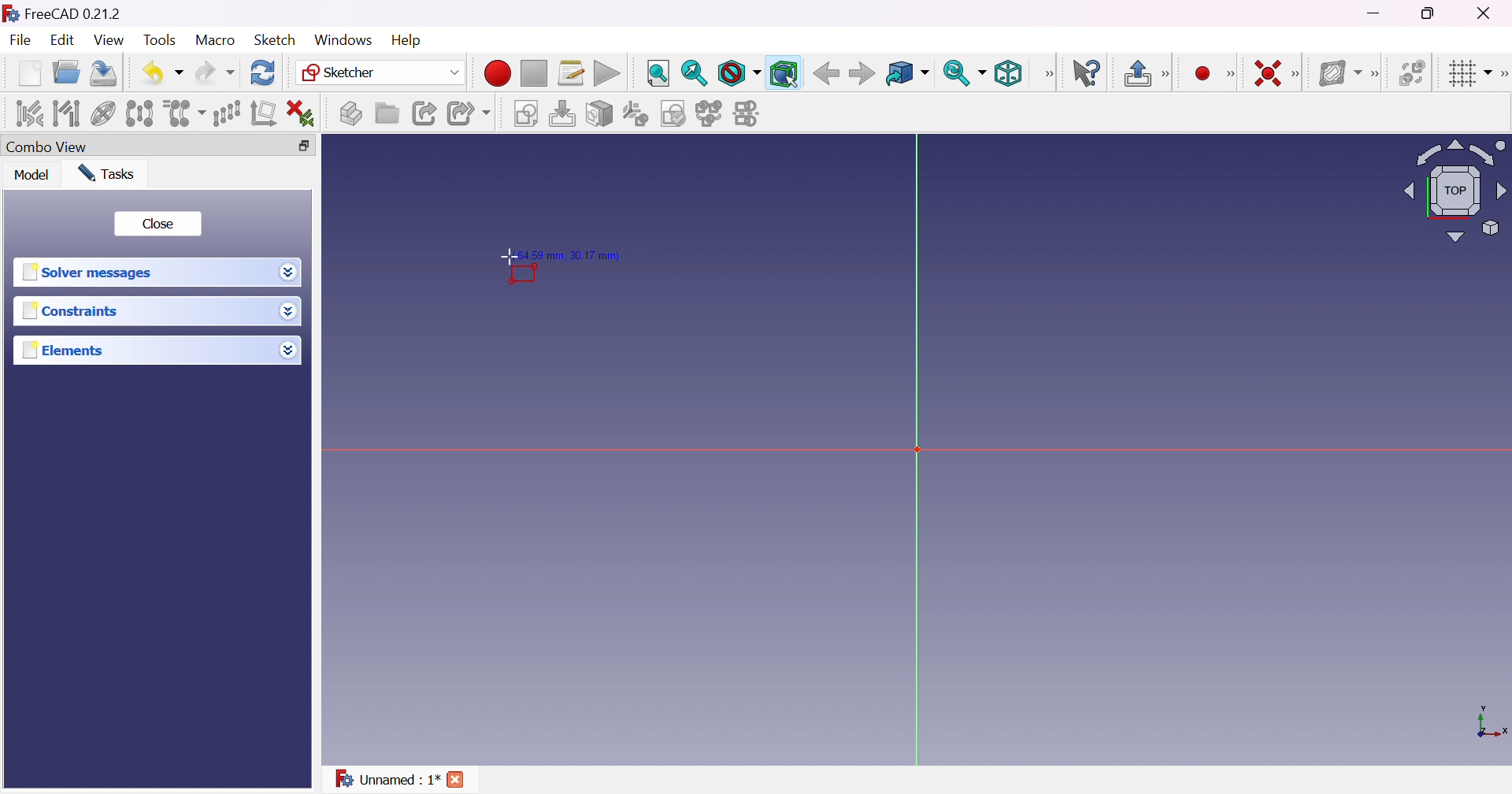  What do you see at coordinates (63, 351) in the screenshot?
I see `Elements` at bounding box center [63, 351].